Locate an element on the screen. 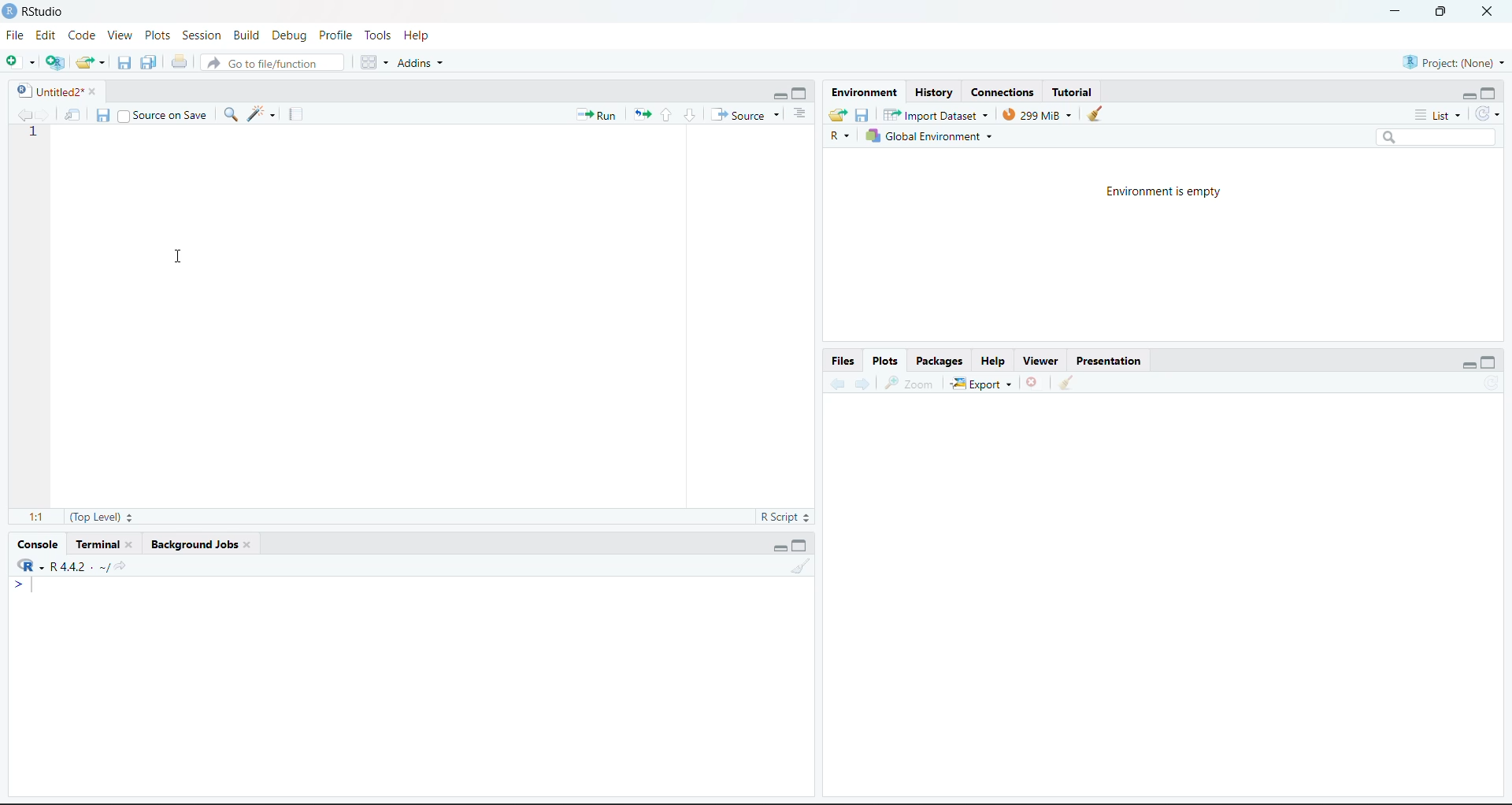 This screenshot has height=805, width=1512. go forward to the next source location is located at coordinates (49, 114).